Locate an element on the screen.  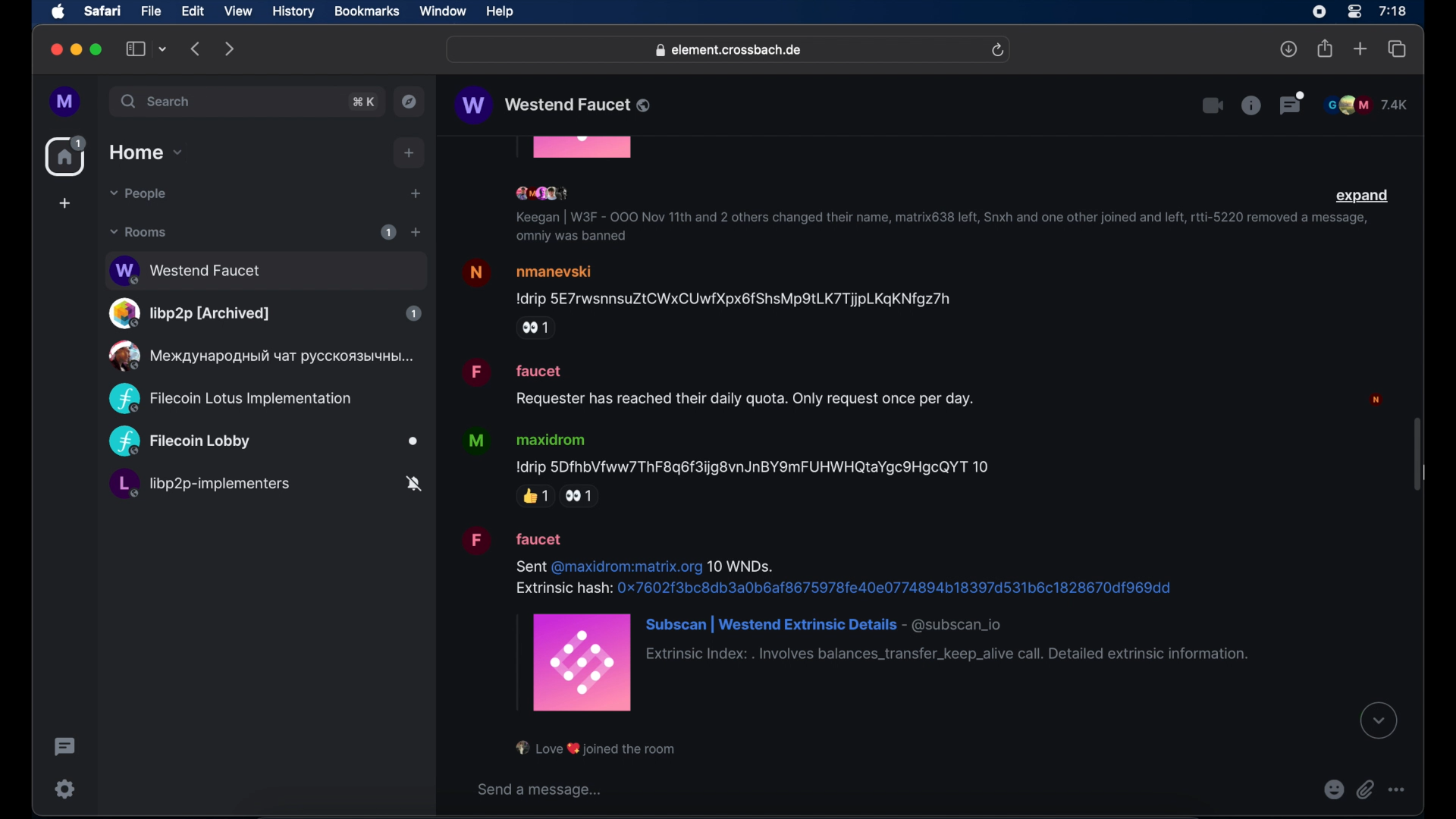
1 is located at coordinates (388, 232).